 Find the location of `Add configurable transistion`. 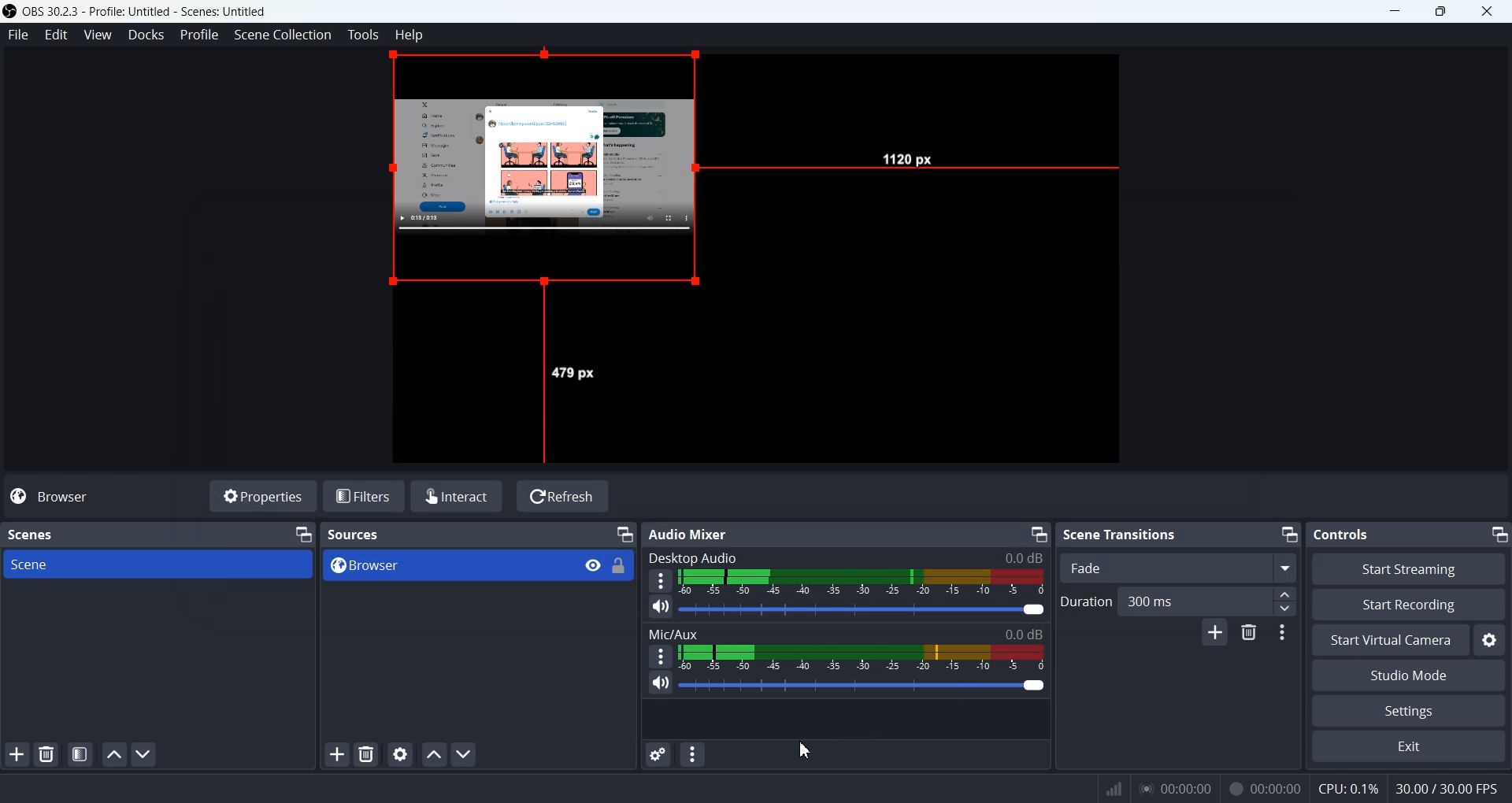

Add configurable transistion is located at coordinates (1214, 635).